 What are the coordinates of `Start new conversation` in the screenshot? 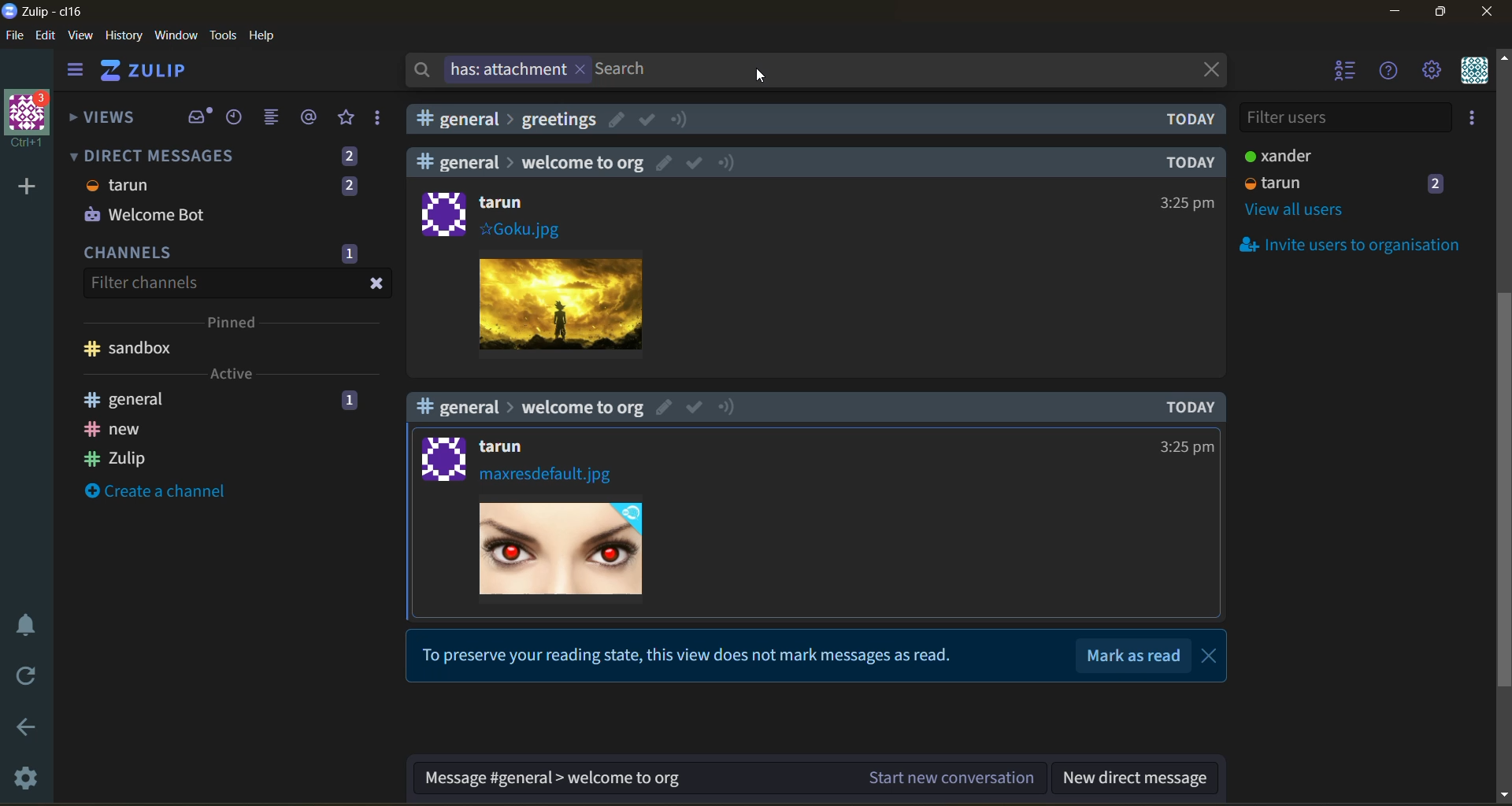 It's located at (953, 776).